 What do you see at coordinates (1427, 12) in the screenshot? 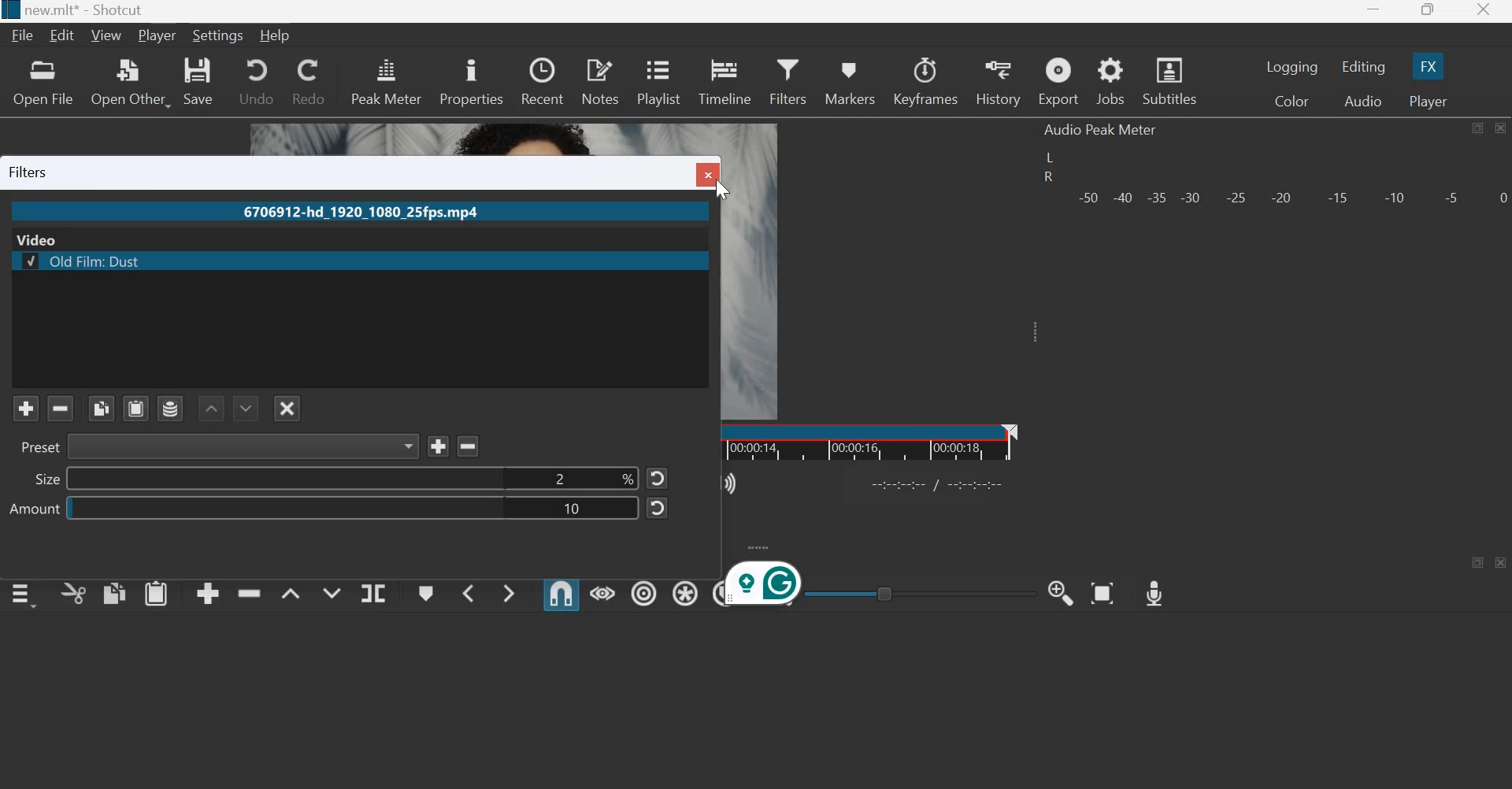
I see `maximize` at bounding box center [1427, 12].